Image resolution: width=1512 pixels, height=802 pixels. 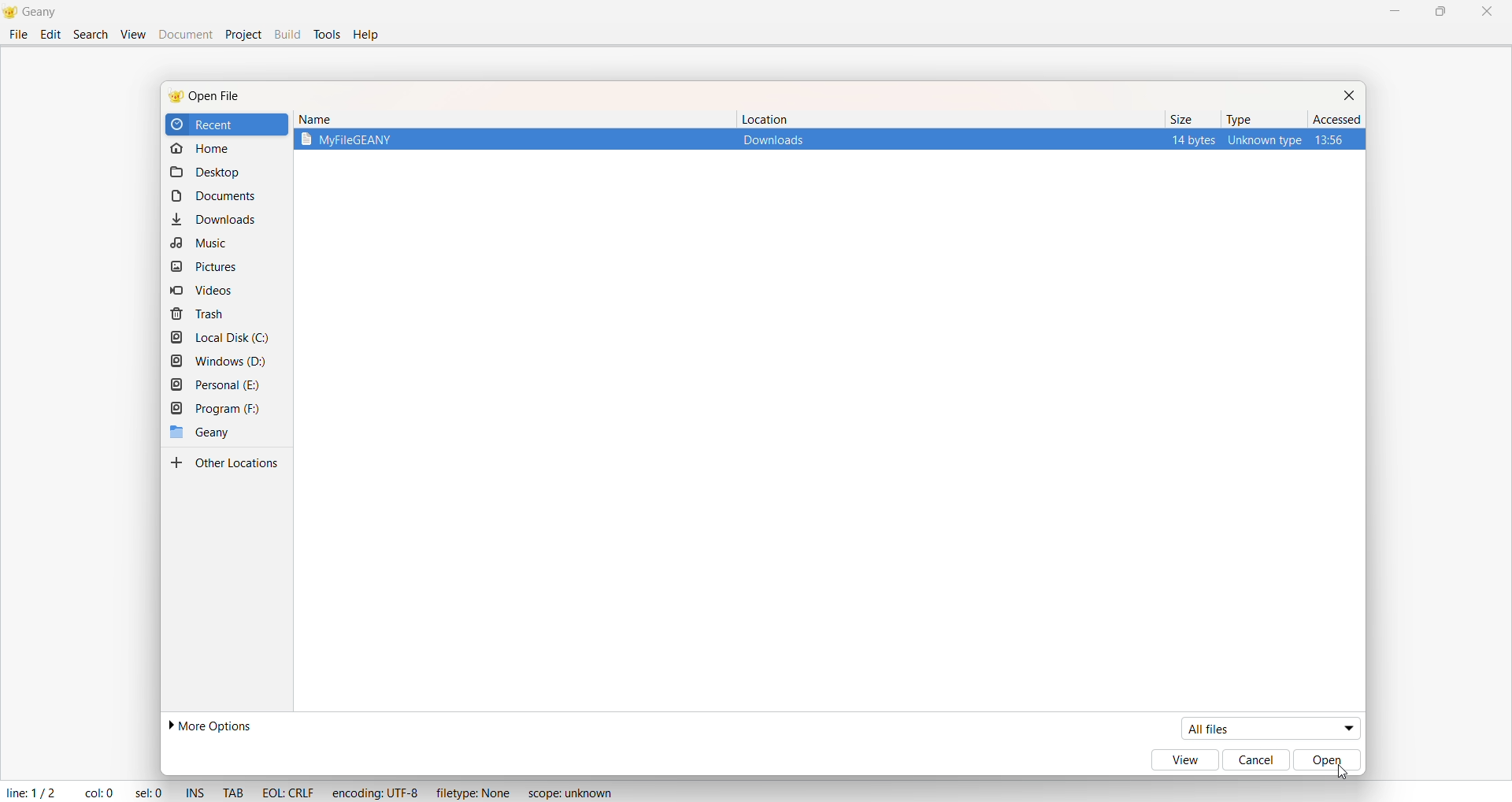 What do you see at coordinates (214, 124) in the screenshot?
I see `recent` at bounding box center [214, 124].